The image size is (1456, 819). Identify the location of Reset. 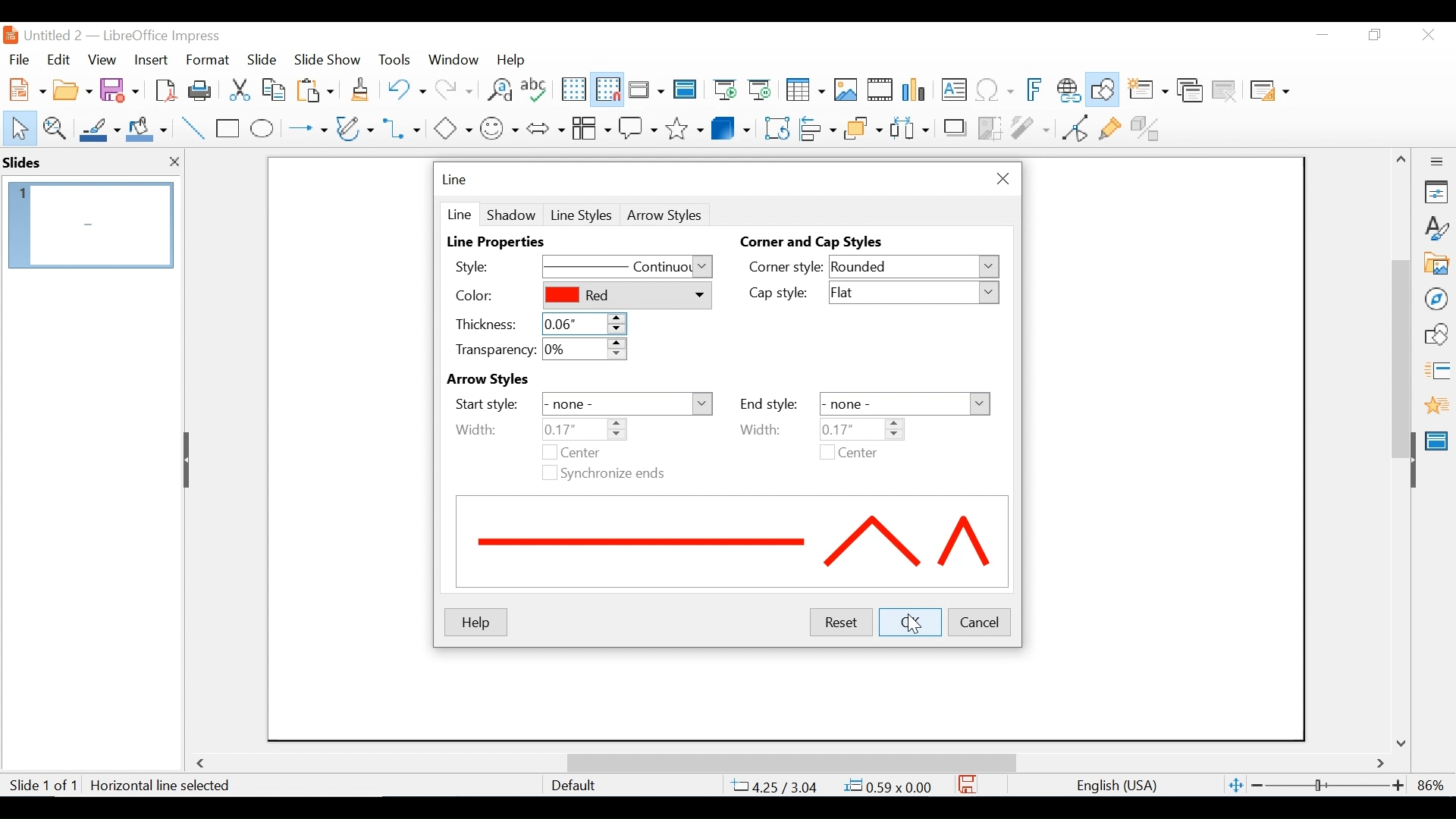
(839, 622).